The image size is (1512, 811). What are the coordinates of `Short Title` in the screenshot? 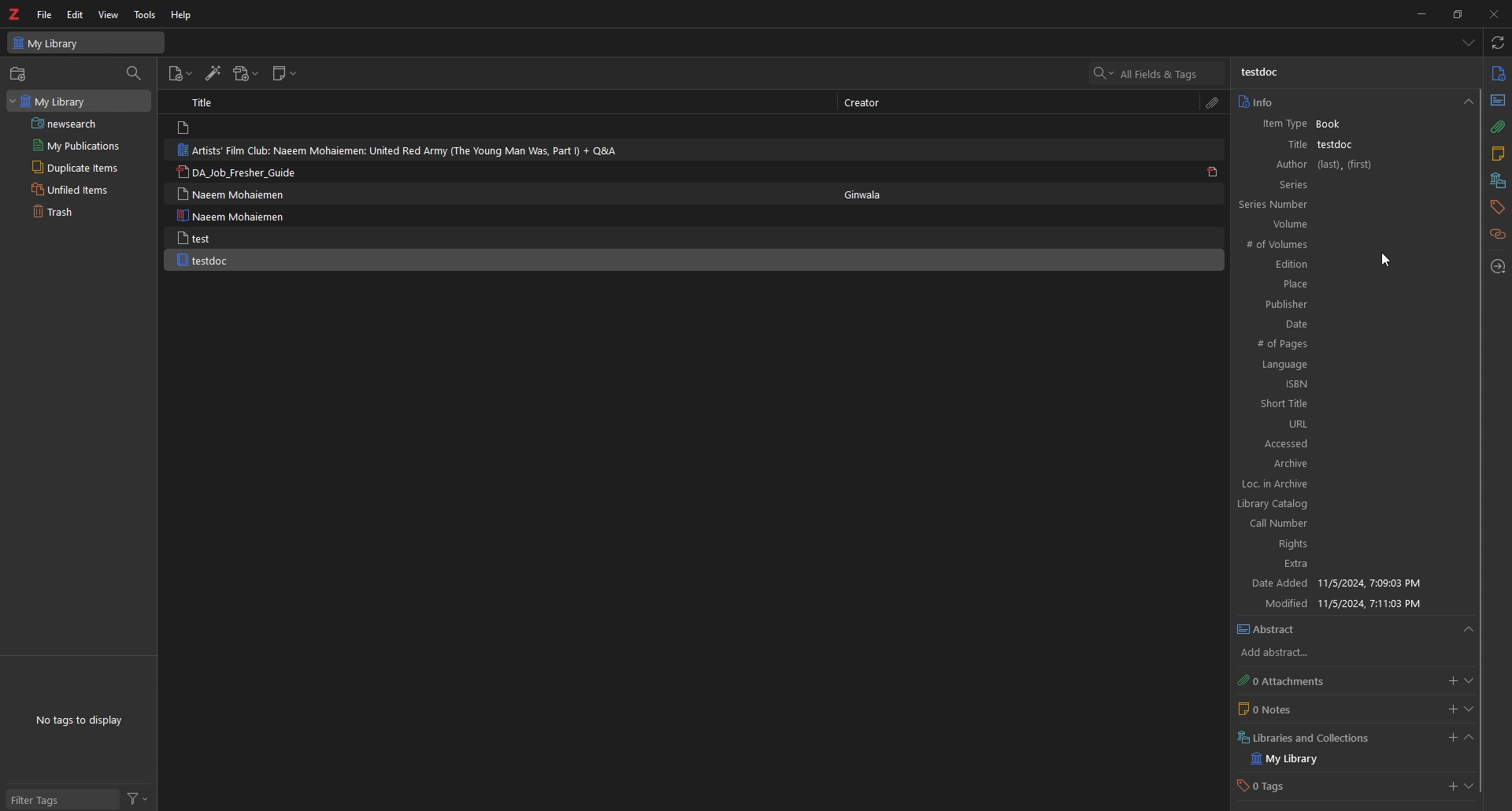 It's located at (1353, 404).